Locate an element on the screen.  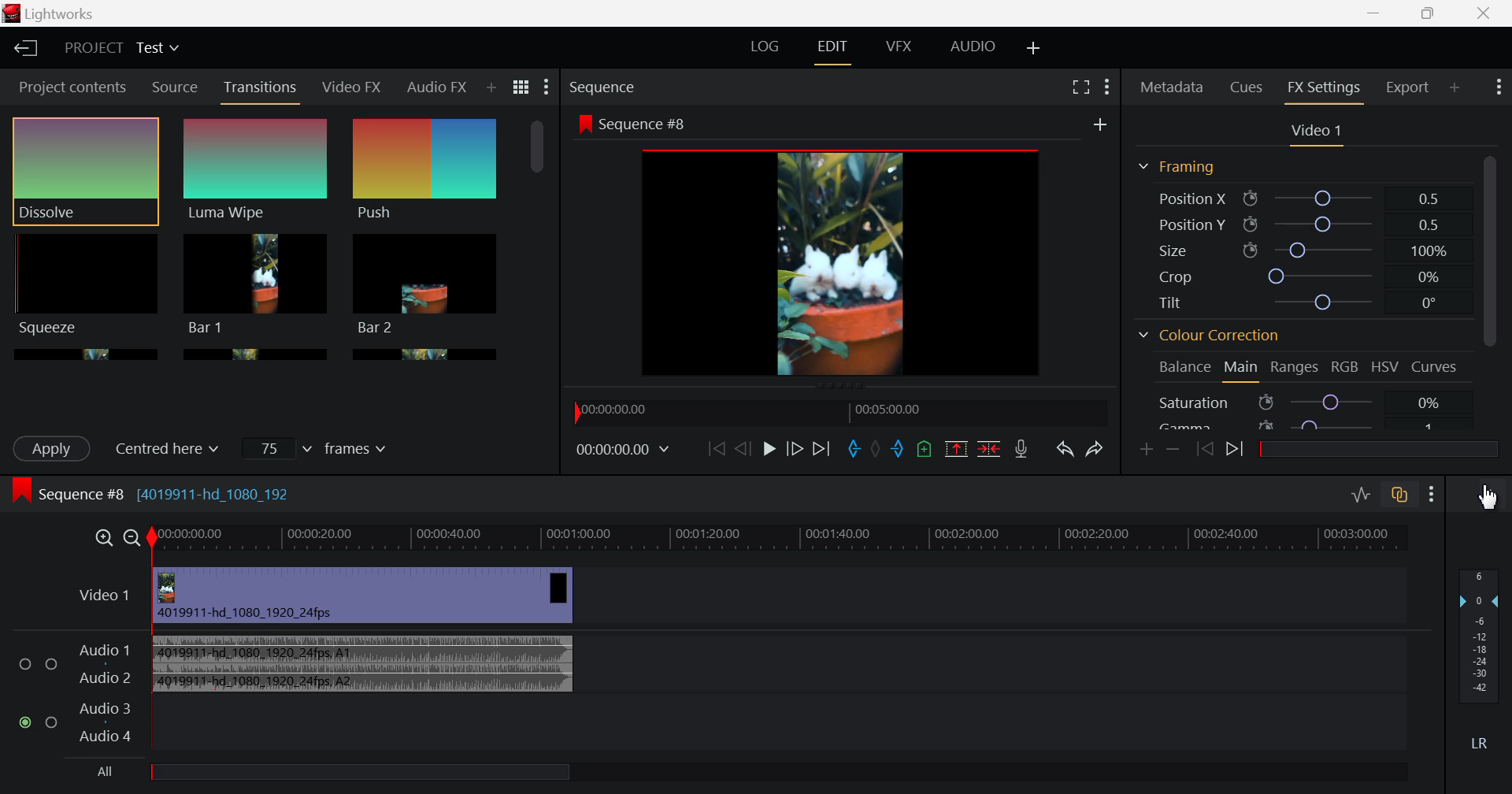
VFX Layout is located at coordinates (899, 50).